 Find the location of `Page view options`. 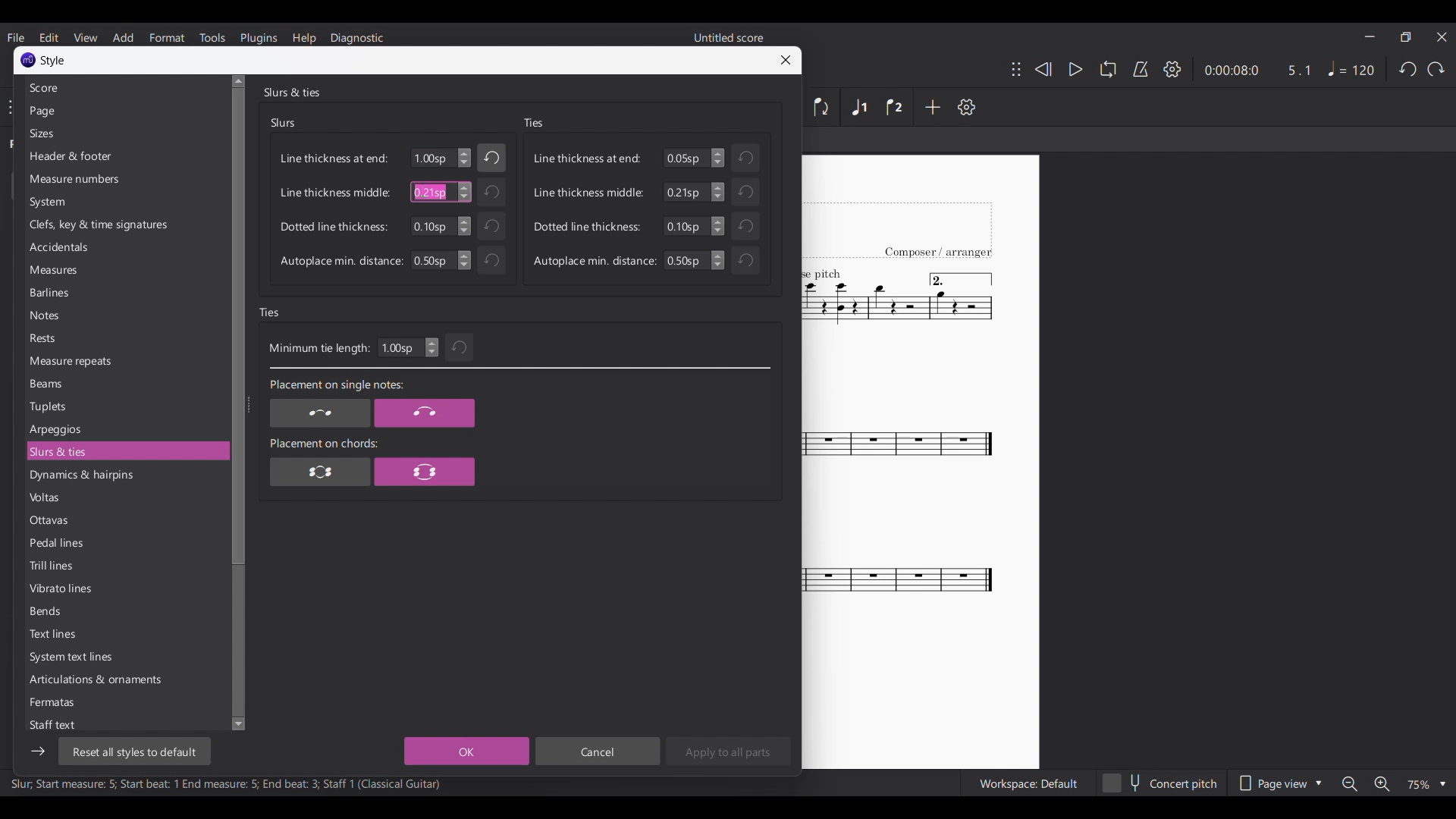

Page view options is located at coordinates (1279, 783).